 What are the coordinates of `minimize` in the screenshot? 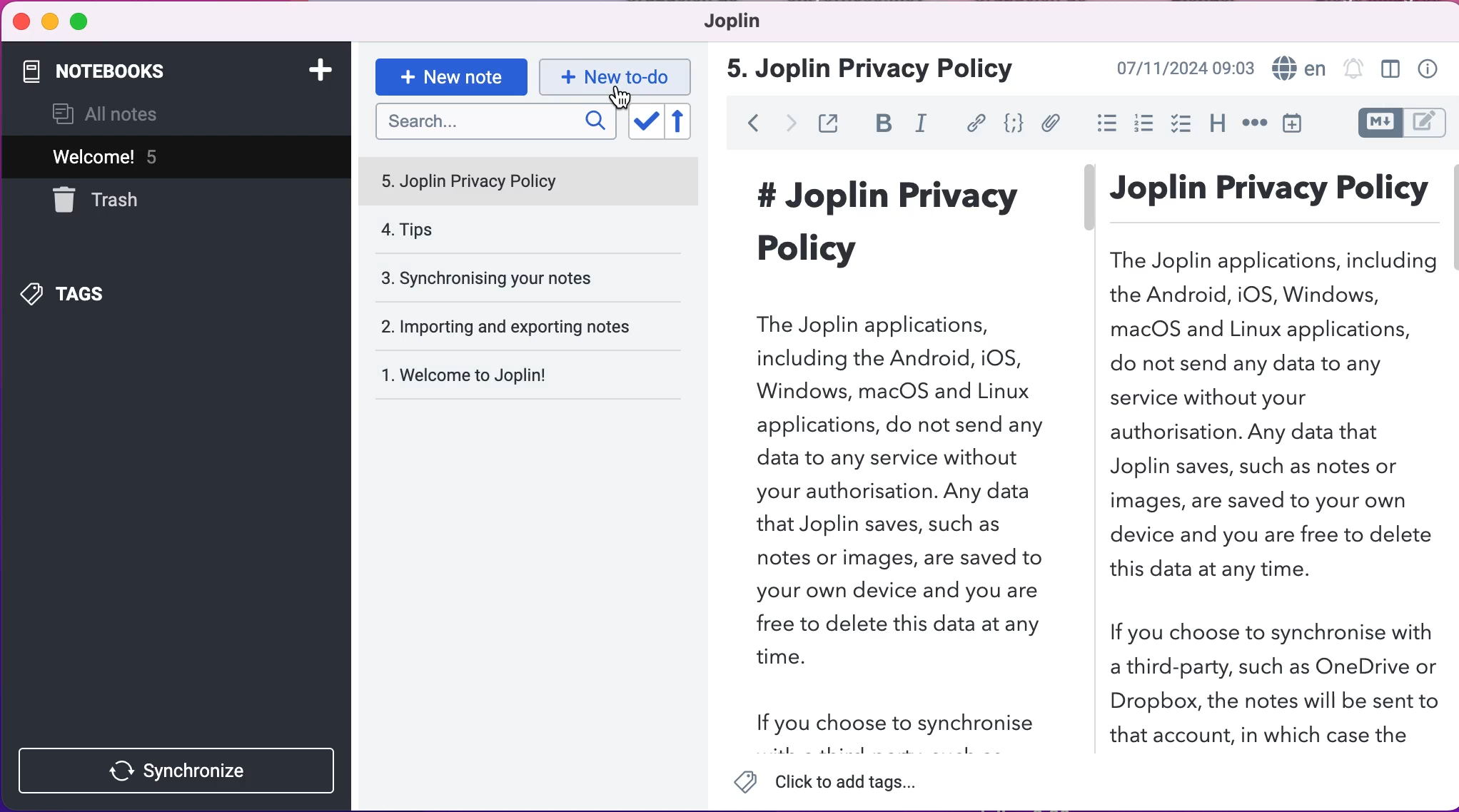 It's located at (49, 22).